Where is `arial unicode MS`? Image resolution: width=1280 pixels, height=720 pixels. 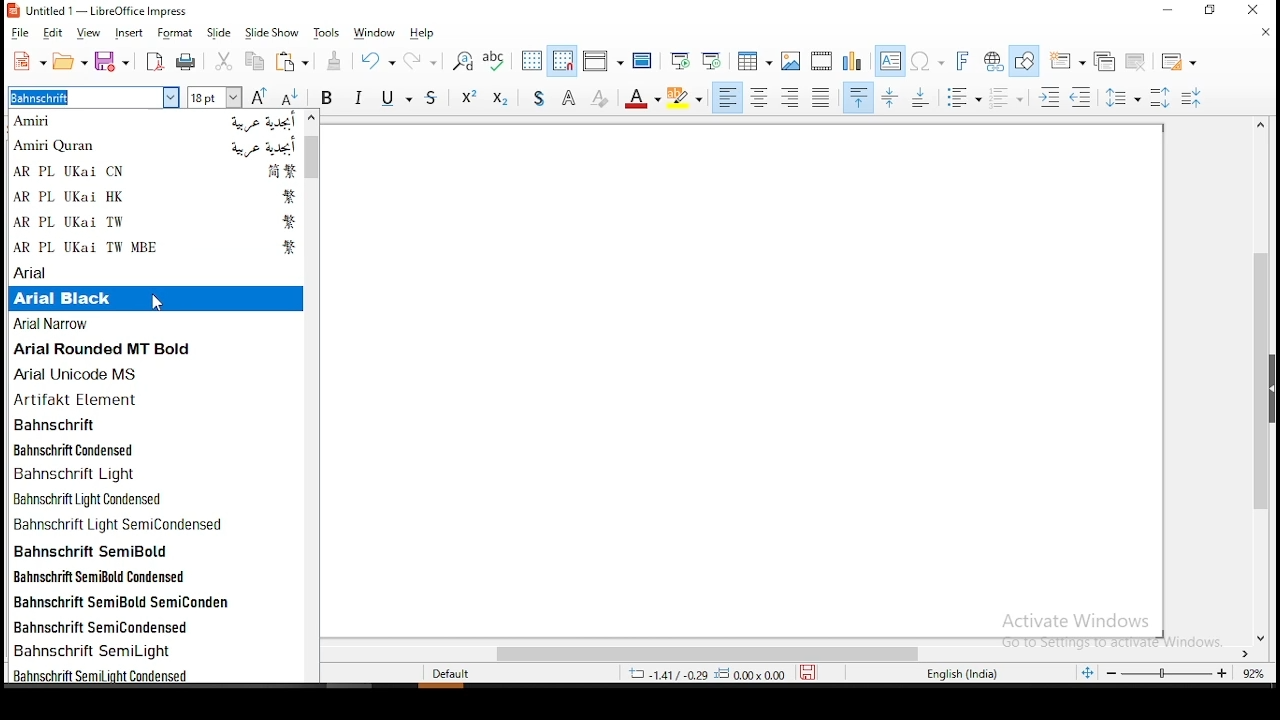
arial unicode MS is located at coordinates (156, 372).